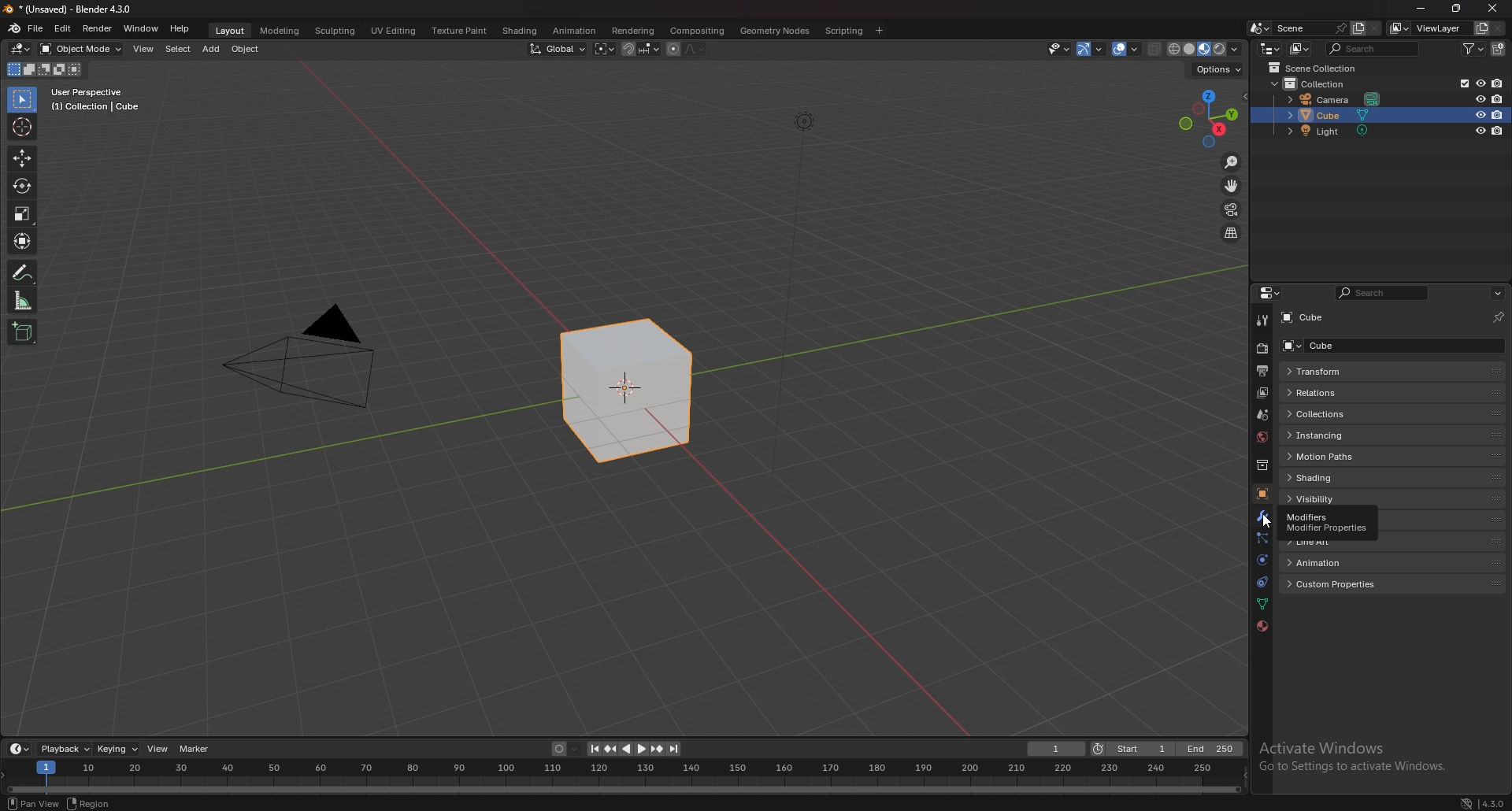 This screenshot has width=1512, height=811. I want to click on perspective/orthographic, so click(1231, 234).